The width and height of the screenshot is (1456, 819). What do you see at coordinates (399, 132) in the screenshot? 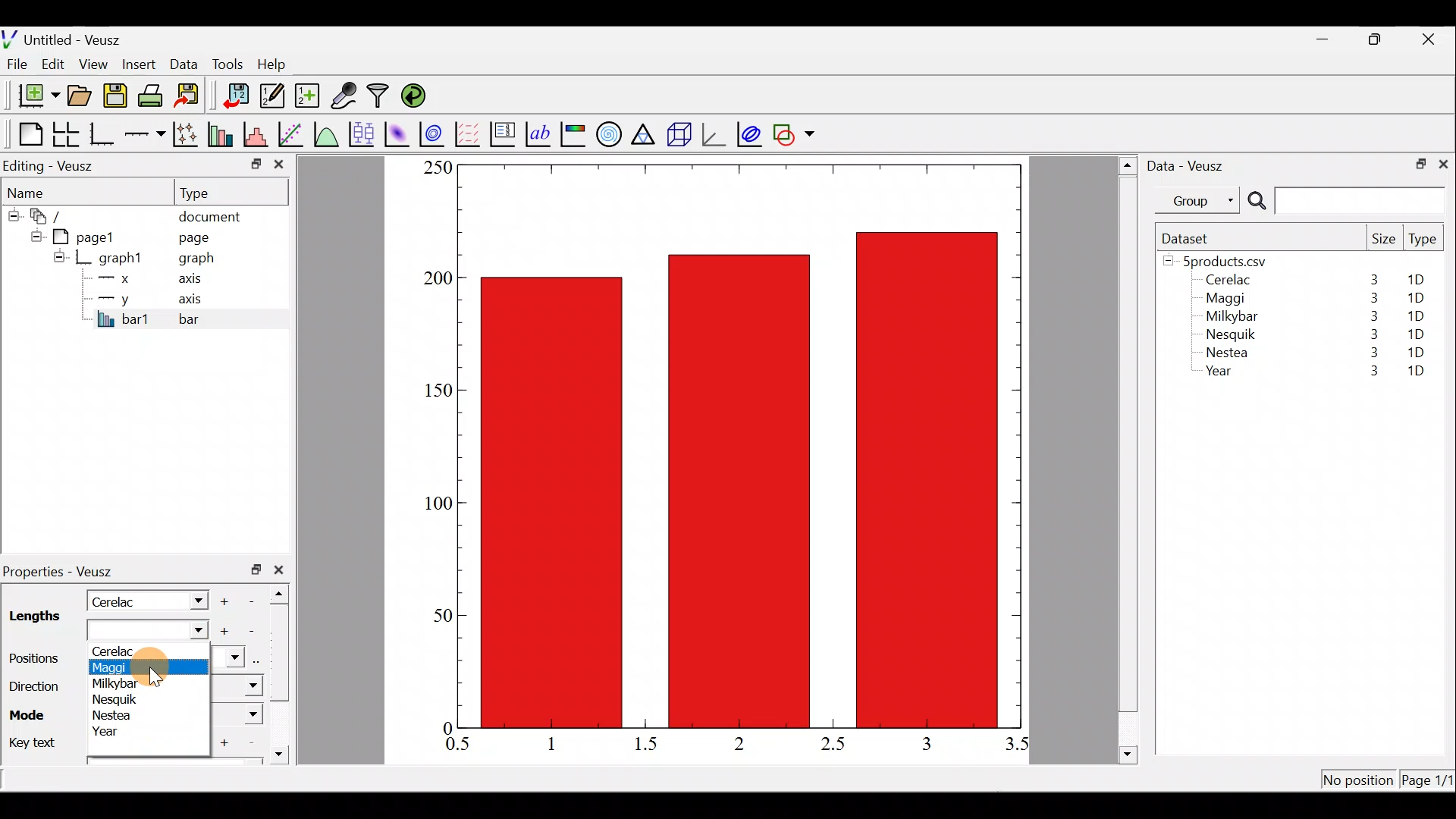
I see `Plot a 2d dataset as an image` at bounding box center [399, 132].